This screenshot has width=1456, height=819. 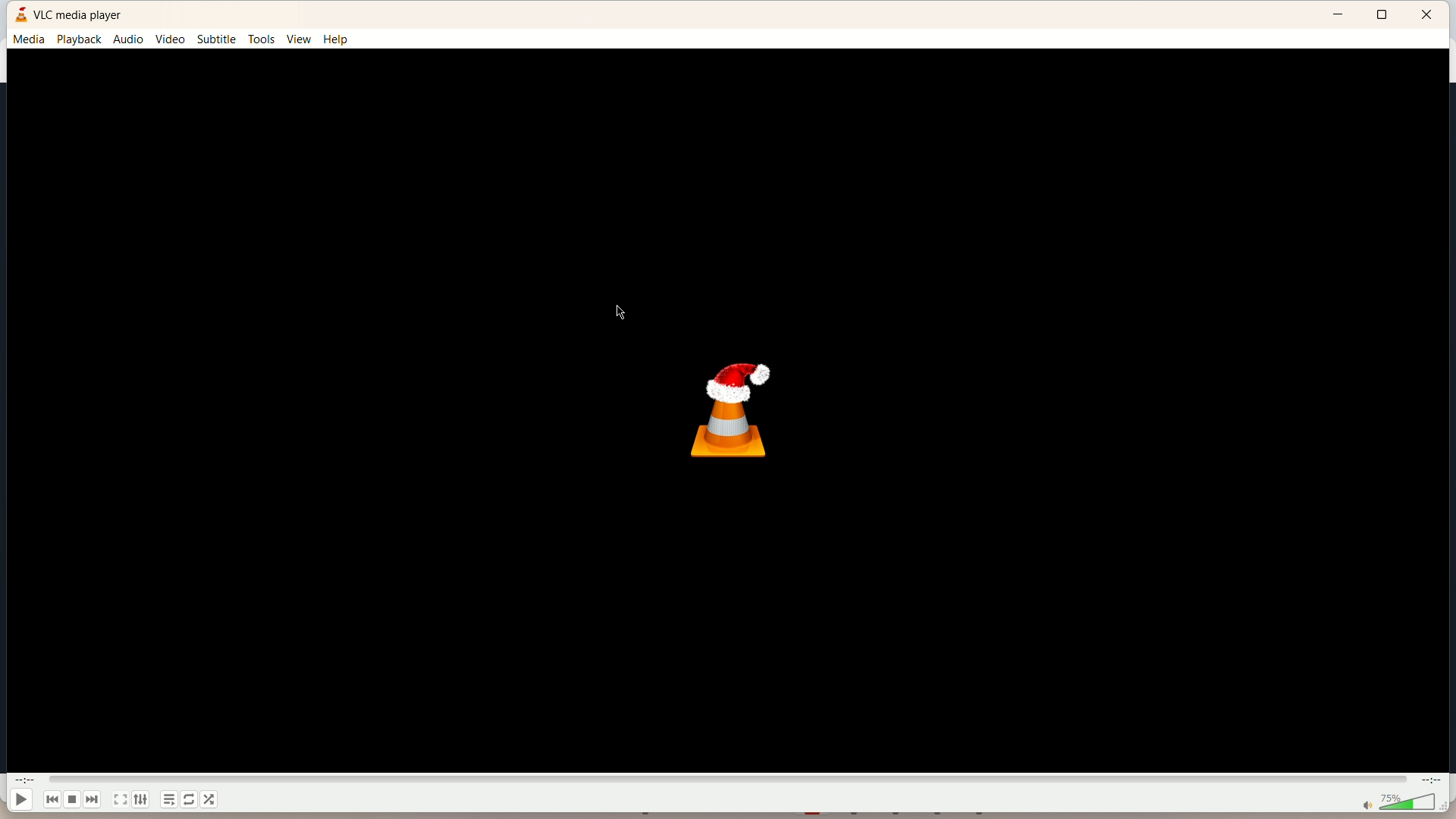 I want to click on help, so click(x=337, y=39).